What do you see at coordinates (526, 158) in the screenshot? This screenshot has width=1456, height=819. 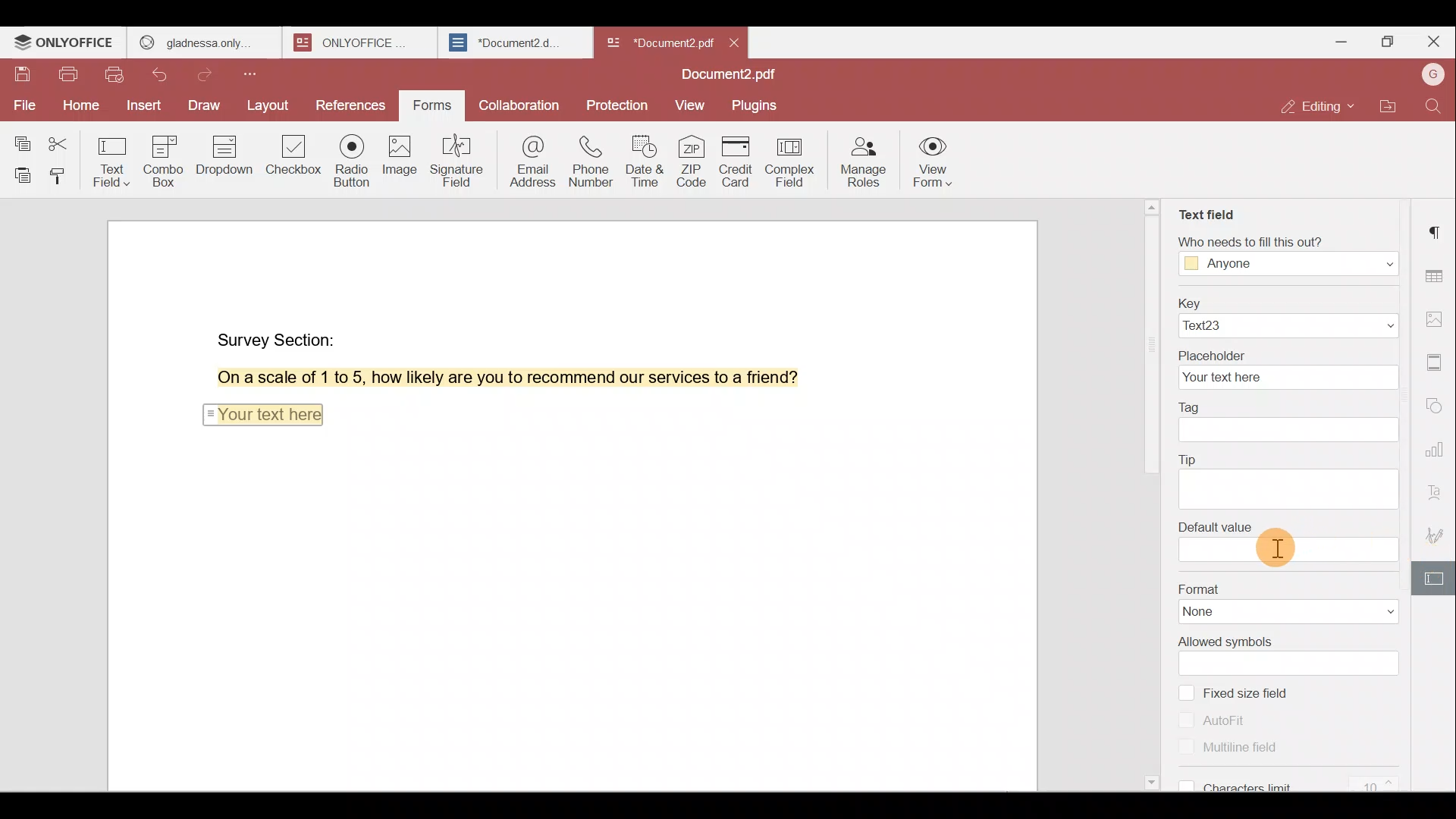 I see `Email address` at bounding box center [526, 158].